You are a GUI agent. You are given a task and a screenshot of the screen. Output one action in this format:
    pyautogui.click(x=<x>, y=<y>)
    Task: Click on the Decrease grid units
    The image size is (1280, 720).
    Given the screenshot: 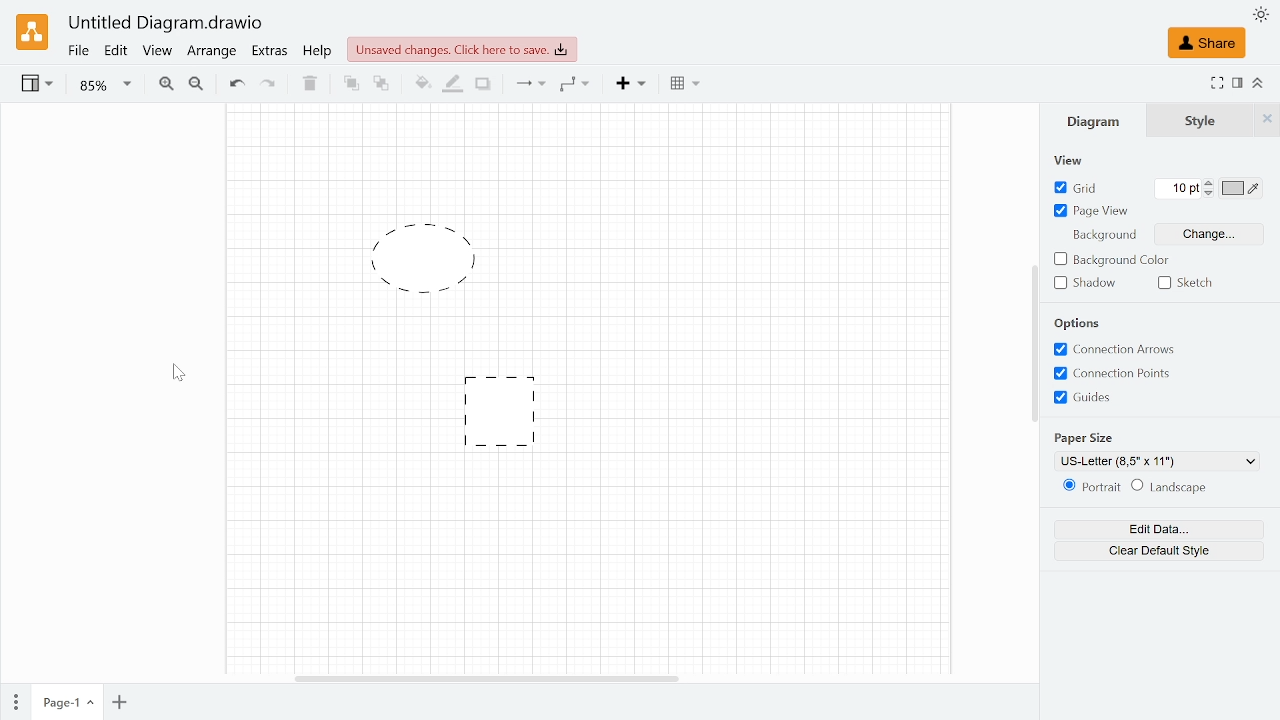 What is the action you would take?
    pyautogui.click(x=1209, y=194)
    